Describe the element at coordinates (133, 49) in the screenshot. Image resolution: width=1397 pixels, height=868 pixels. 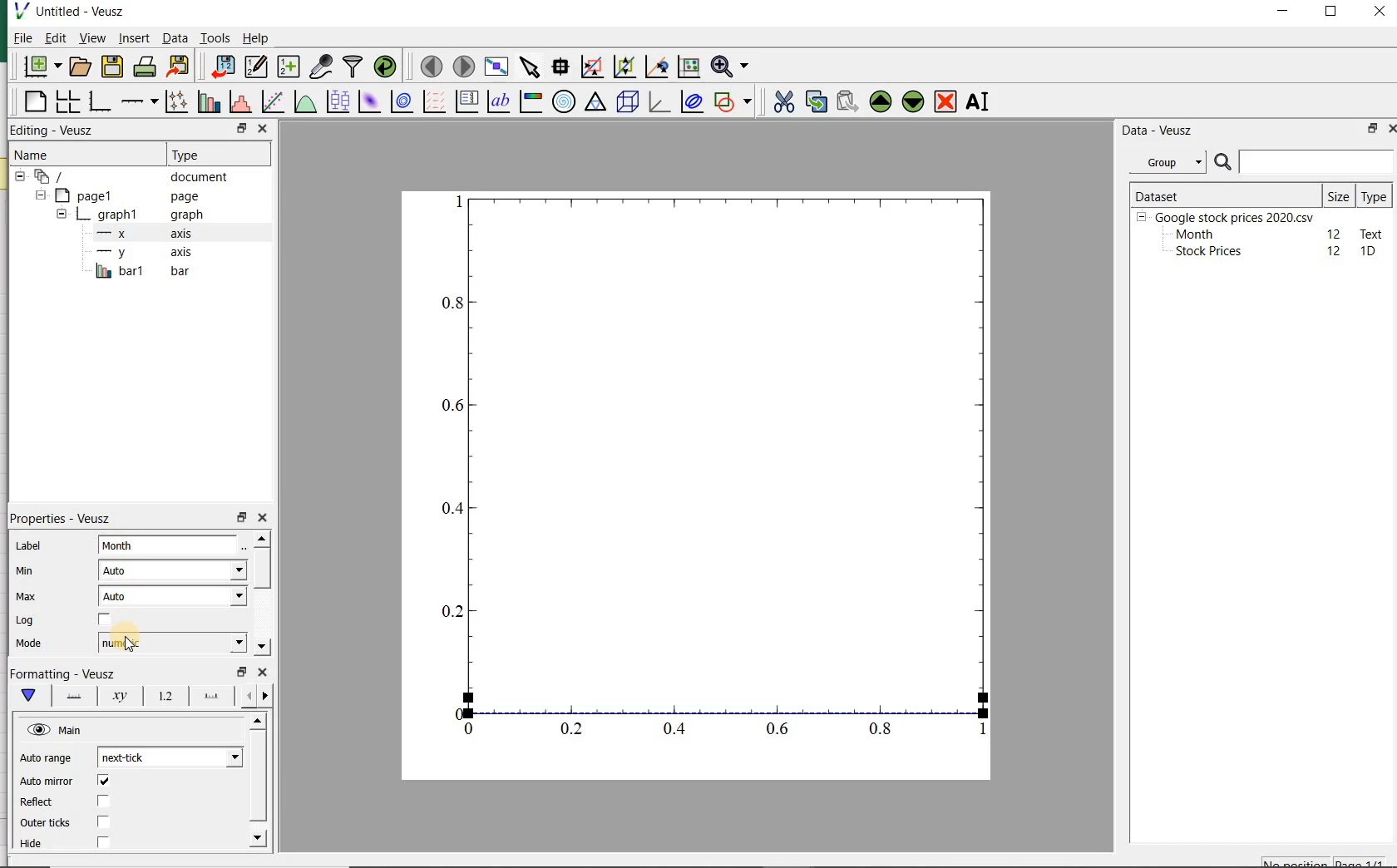
I see `cursor` at that location.